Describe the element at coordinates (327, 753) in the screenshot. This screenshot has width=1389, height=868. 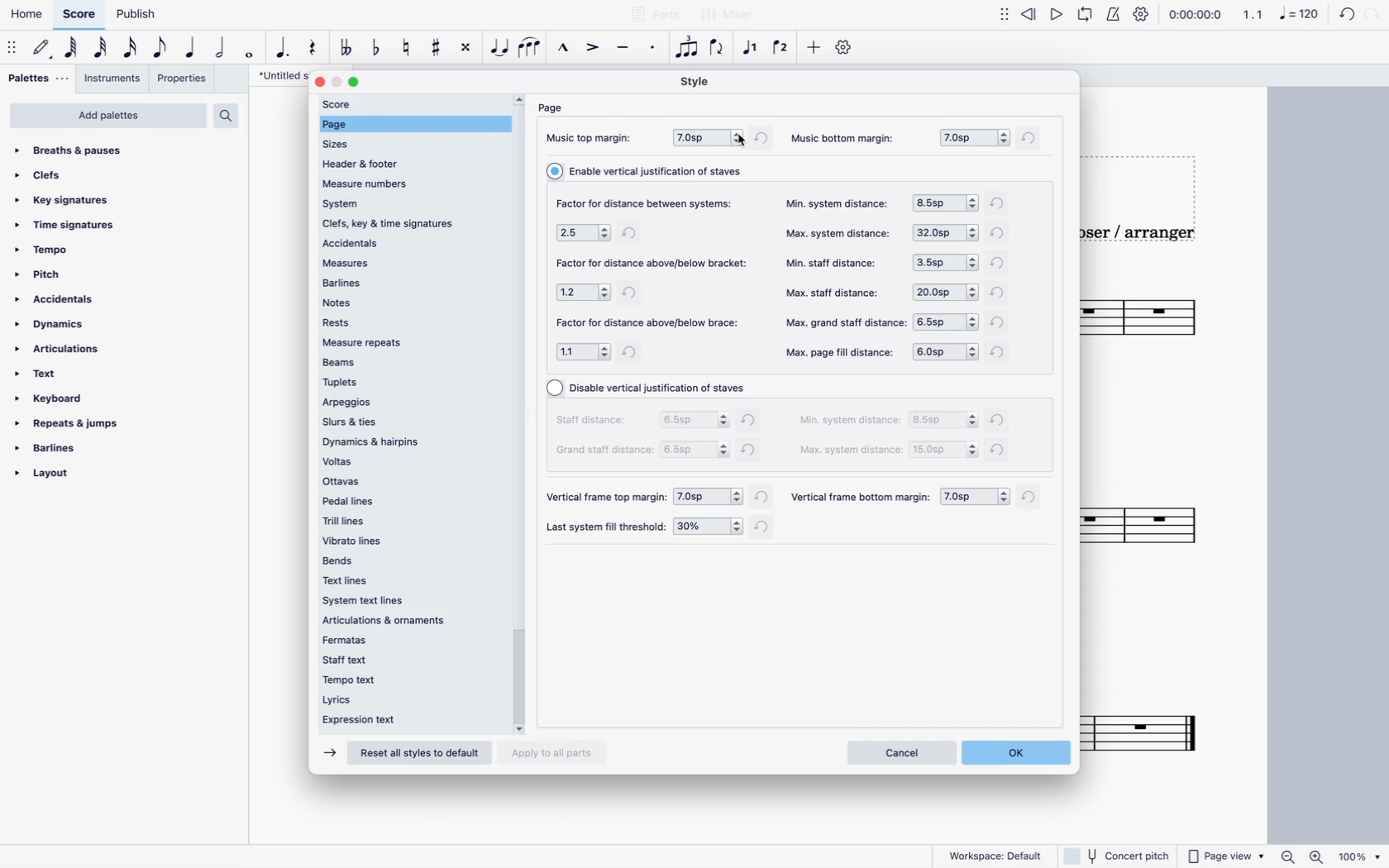
I see `forward` at that location.